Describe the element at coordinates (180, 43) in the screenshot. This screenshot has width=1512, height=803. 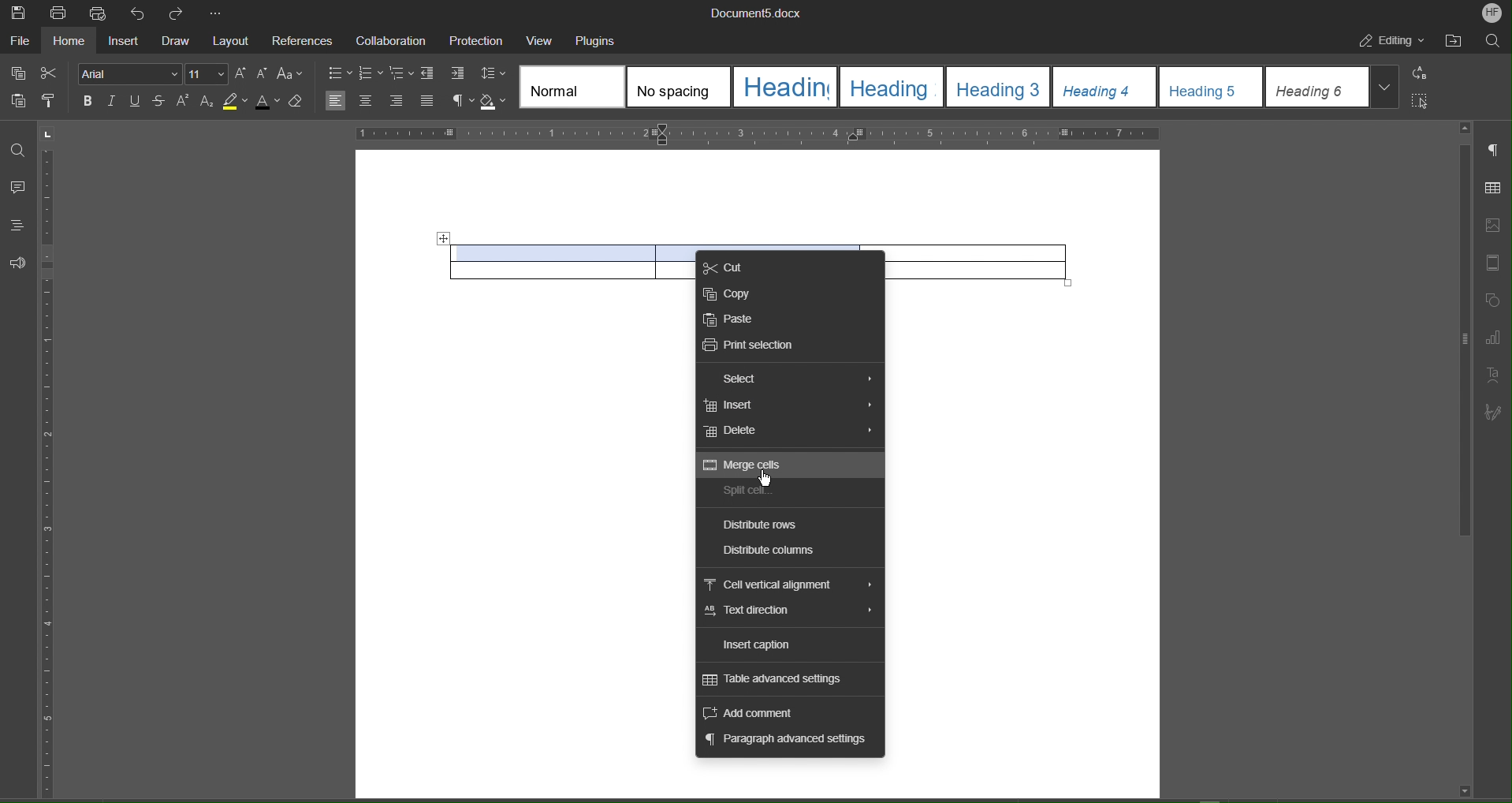
I see `Draw` at that location.